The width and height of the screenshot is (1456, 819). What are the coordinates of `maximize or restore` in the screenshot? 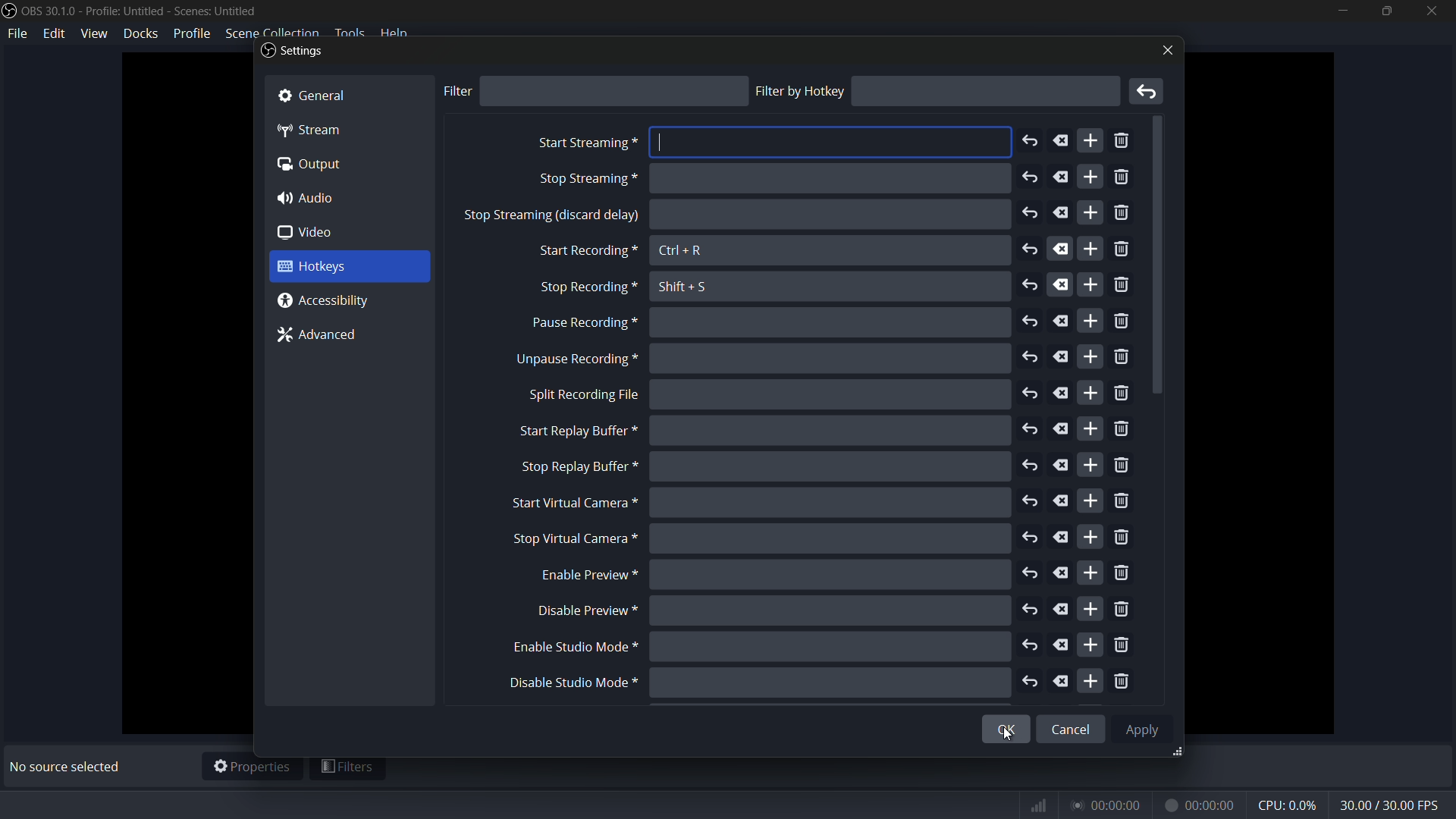 It's located at (1385, 11).